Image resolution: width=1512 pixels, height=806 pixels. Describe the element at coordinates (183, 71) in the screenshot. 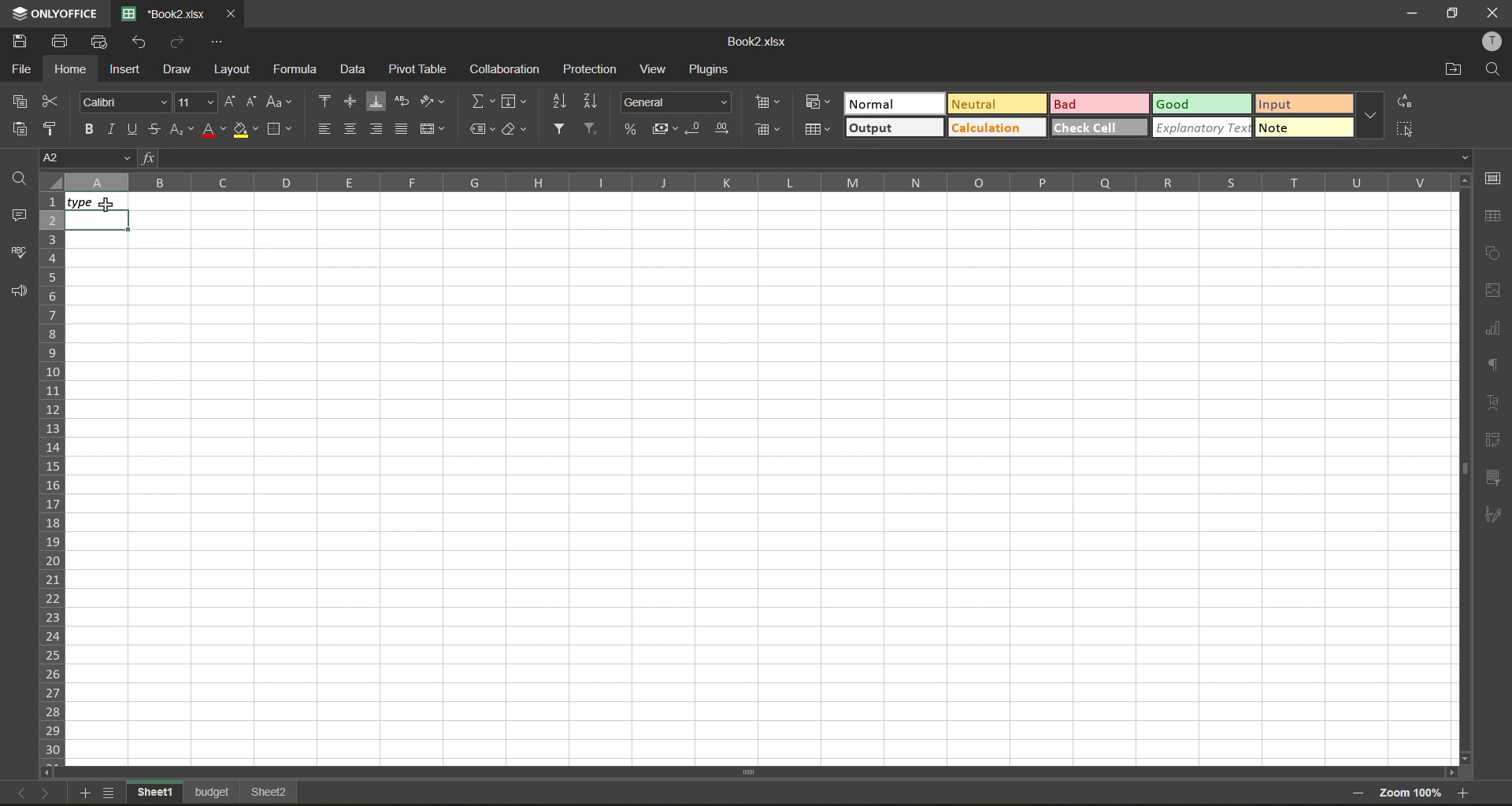

I see `draw` at that location.